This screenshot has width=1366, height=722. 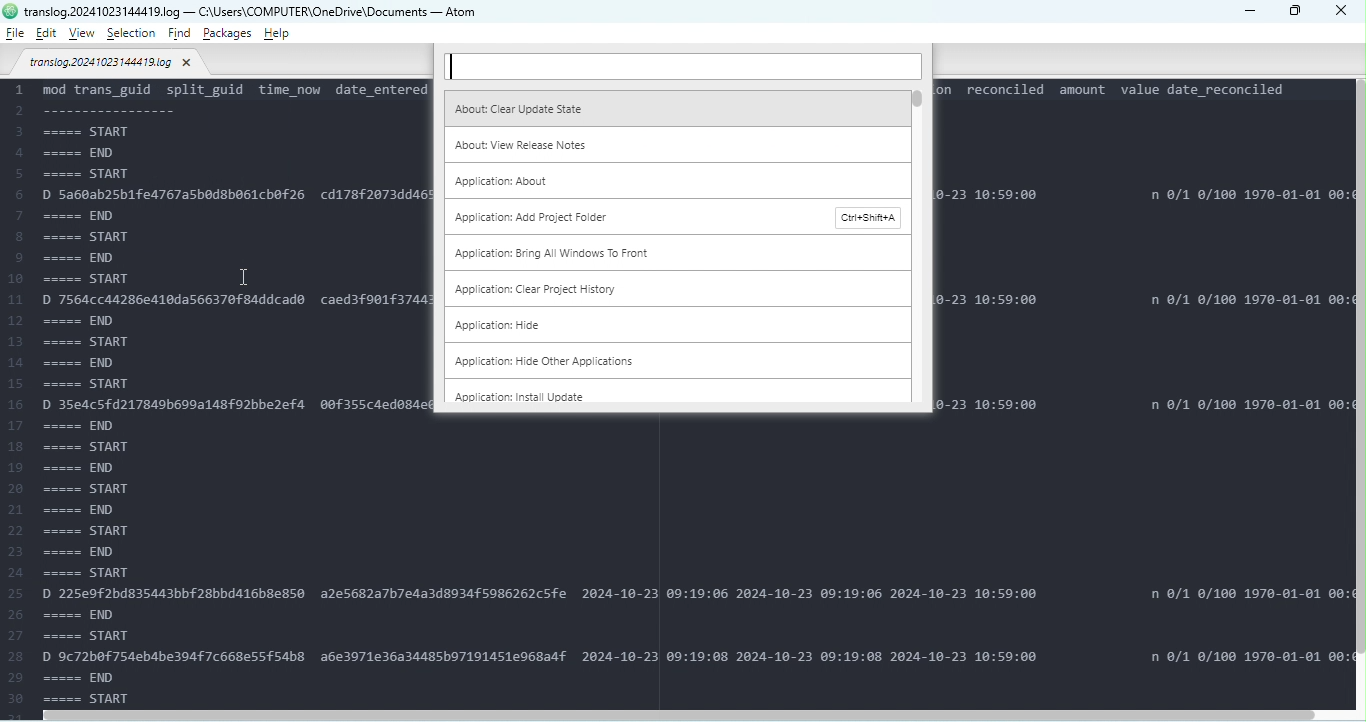 I want to click on File content - The code appears to be related to data entries or logs, possibly from a database or system process. It includes elements like:  START/END: Markers indicating the beginning and end of a data record. GUIDs (Globally Unique Identifiers): Long strings of characters that uniquely identify each record. Timestamps: Dates and times associated with the records, such as 2024-10-23 09:14:29. Counters/Indexes: Values like "n 0/1 100" or "0/1 100", which might indicate record numbers or positions. Date Codes: Such as 1970-01-01 00, which might represent default or initial dates. , so click(x=889, y=561).